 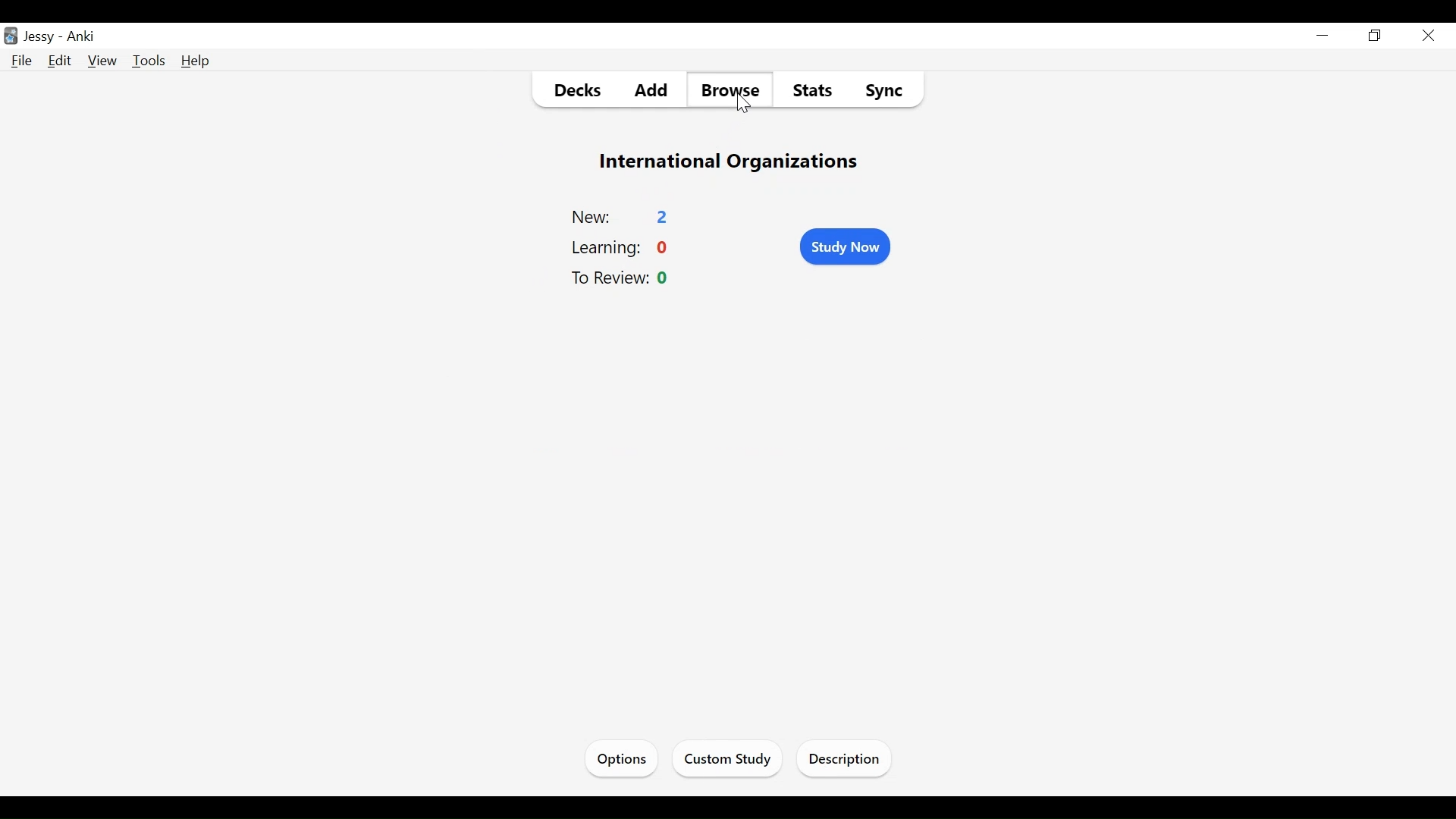 What do you see at coordinates (42, 38) in the screenshot?
I see `User Nmae` at bounding box center [42, 38].